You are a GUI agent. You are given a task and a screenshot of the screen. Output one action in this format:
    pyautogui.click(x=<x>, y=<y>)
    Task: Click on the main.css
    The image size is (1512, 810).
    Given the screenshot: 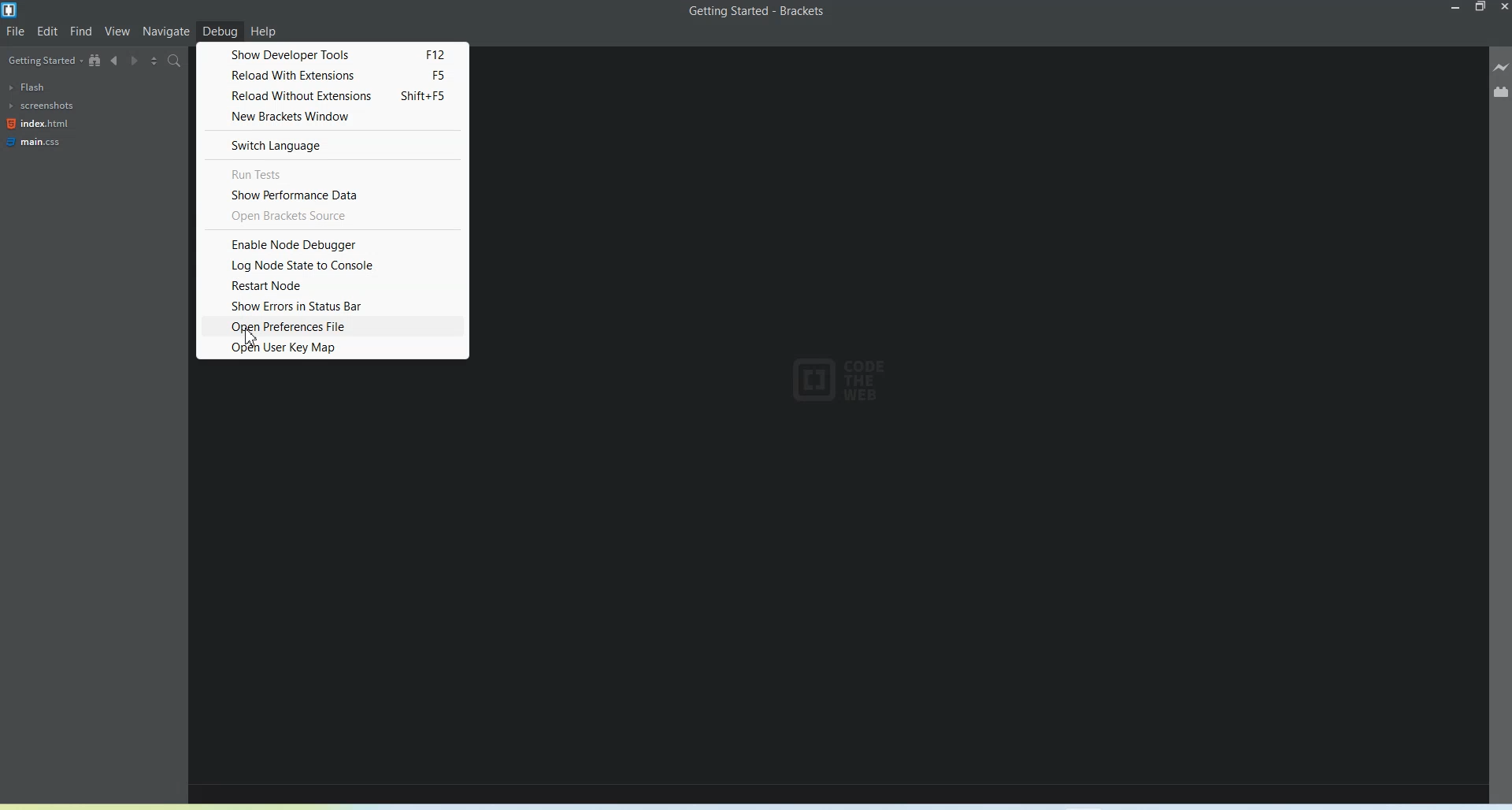 What is the action you would take?
    pyautogui.click(x=35, y=142)
    